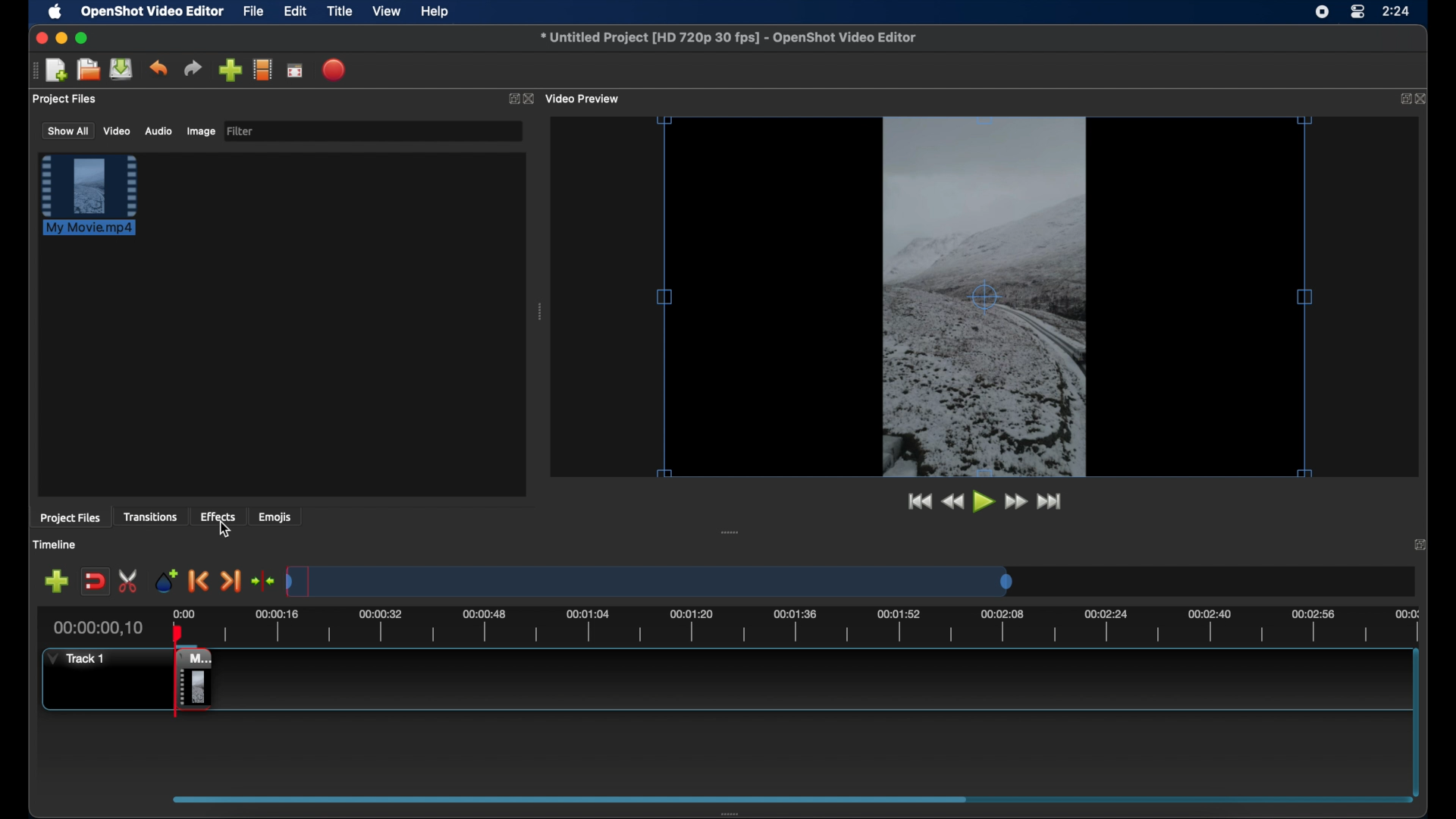 This screenshot has width=1456, height=819. I want to click on enable razor, so click(128, 581).